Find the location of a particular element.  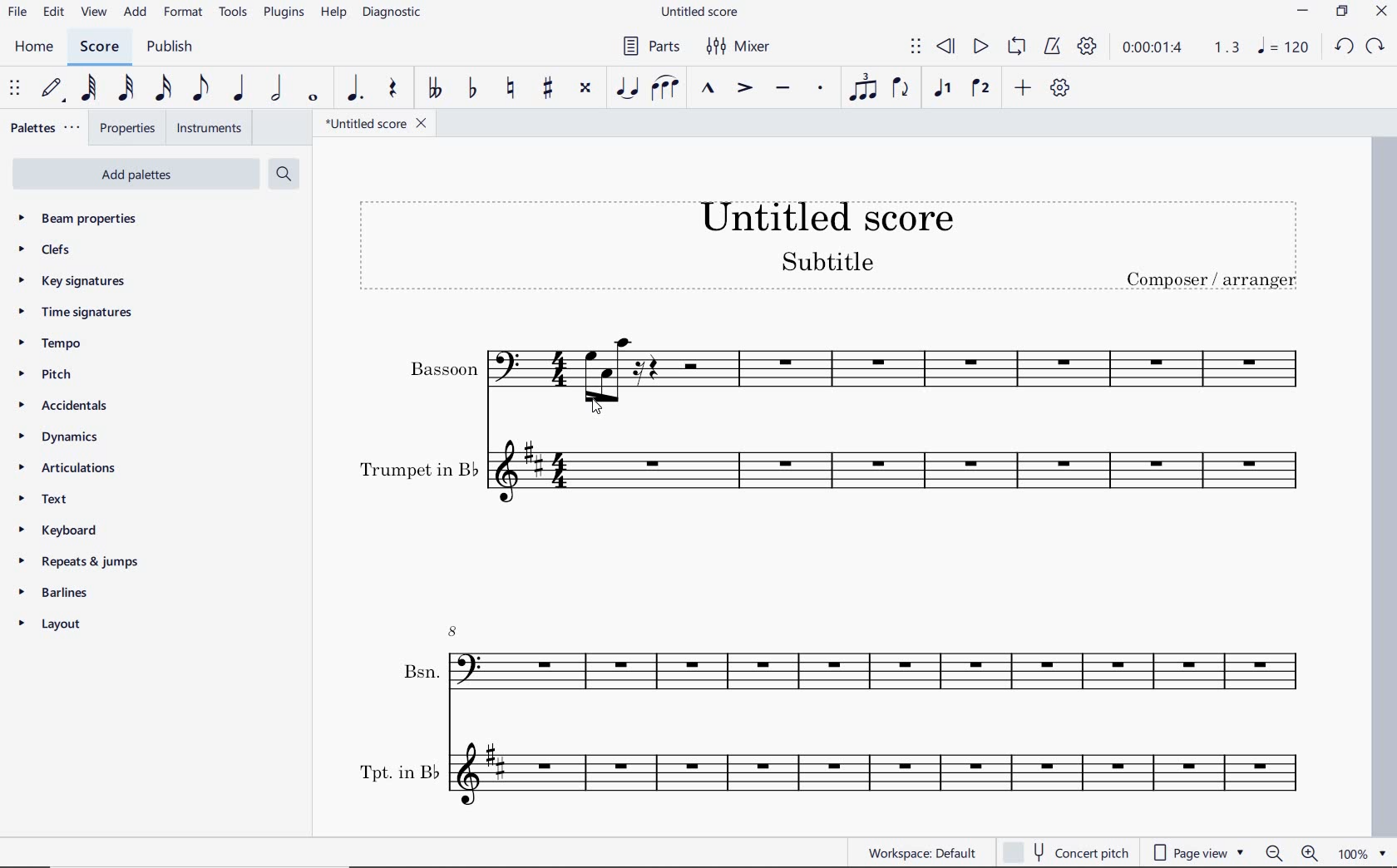

key signatures is located at coordinates (68, 282).